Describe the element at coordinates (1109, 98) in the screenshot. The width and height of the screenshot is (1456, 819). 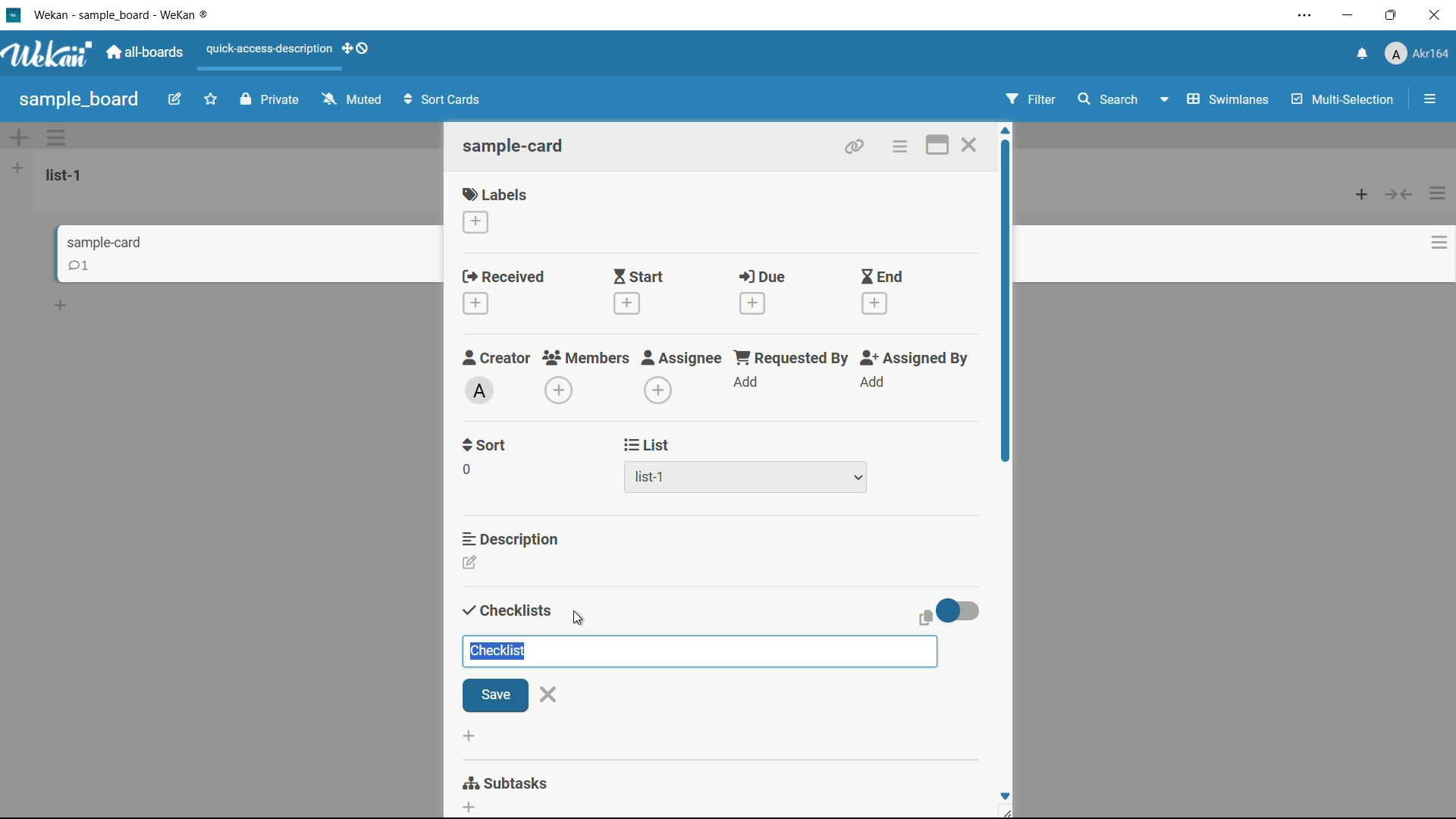
I see `search` at that location.